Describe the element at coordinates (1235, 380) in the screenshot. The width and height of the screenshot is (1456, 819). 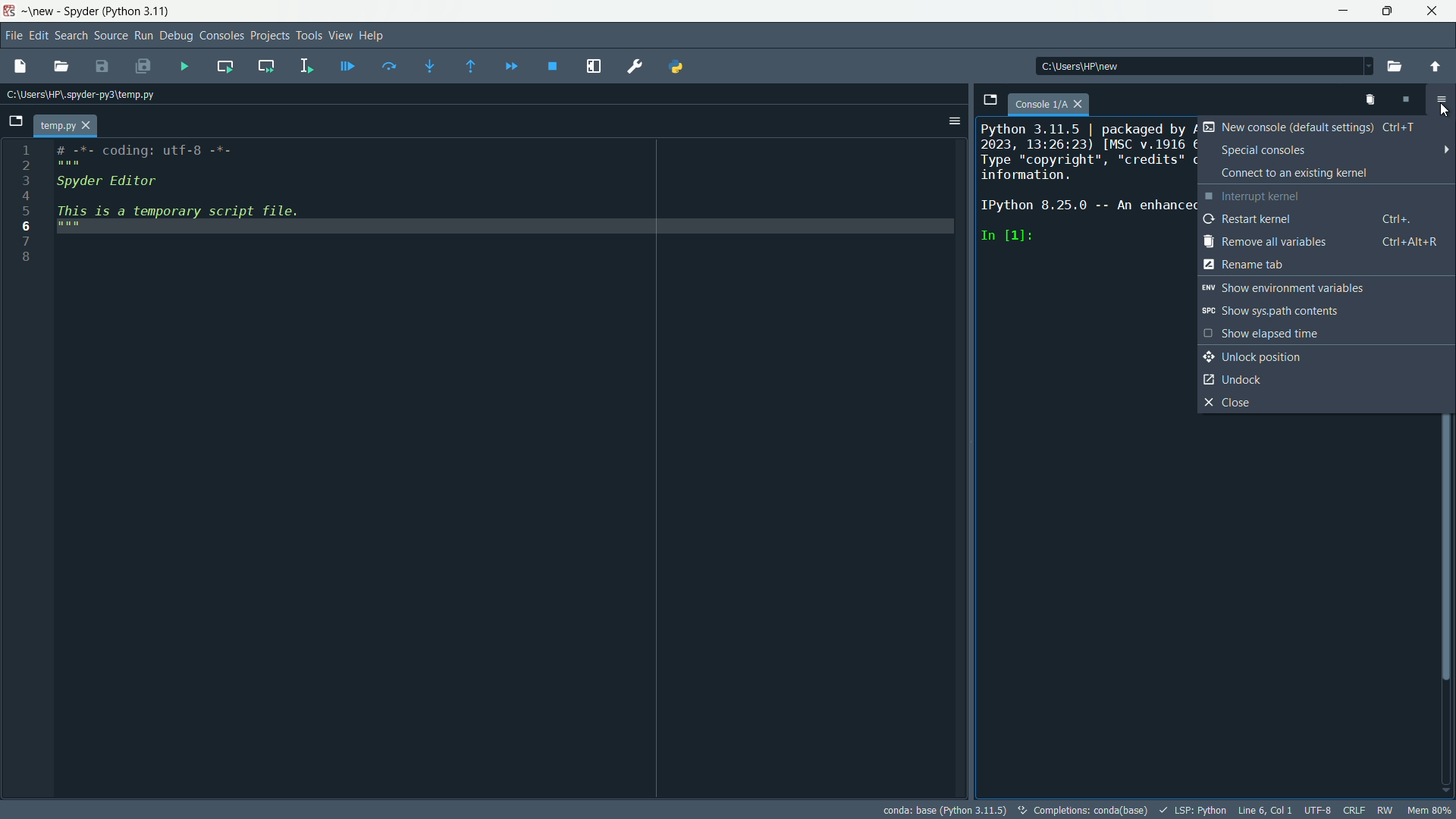
I see `Undock` at that location.